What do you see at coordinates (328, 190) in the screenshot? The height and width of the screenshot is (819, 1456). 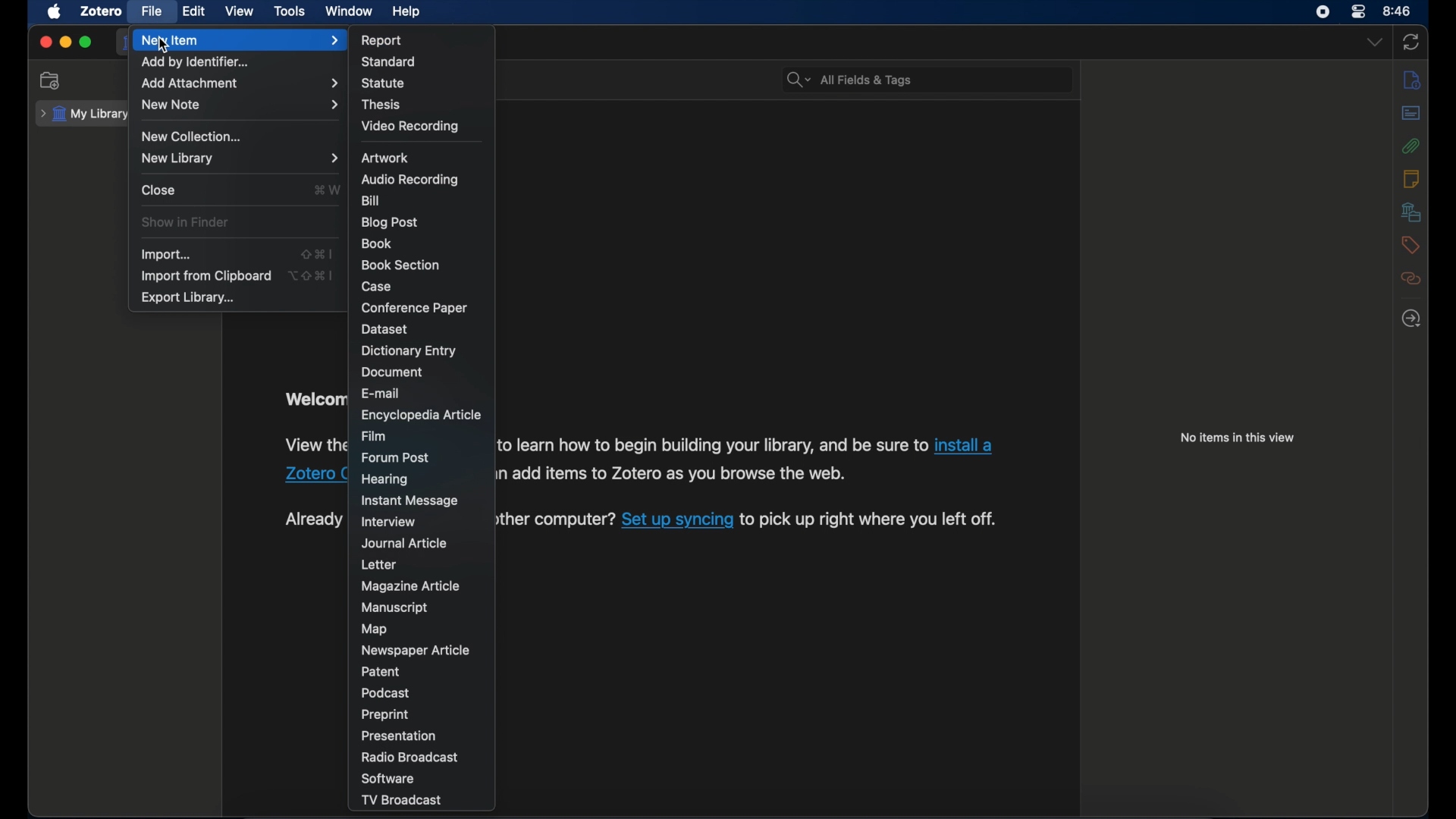 I see `shortcut` at bounding box center [328, 190].